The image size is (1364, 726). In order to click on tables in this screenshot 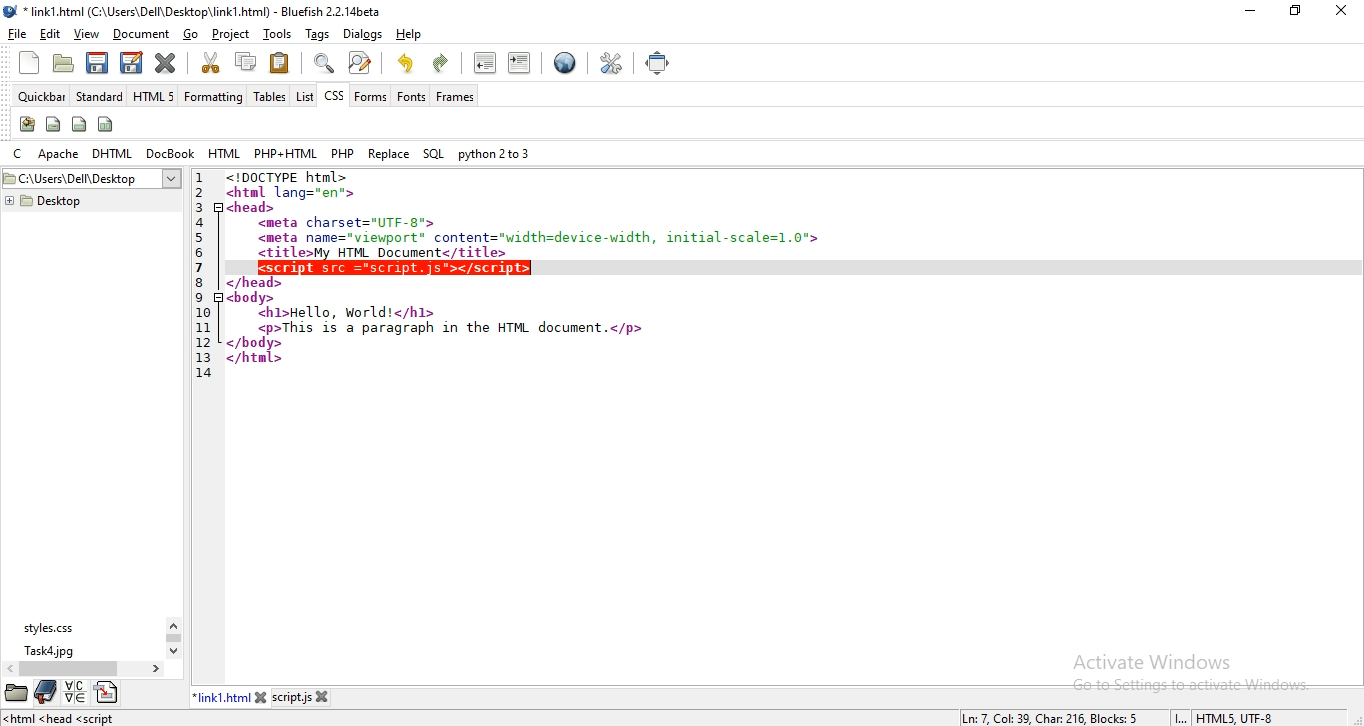, I will do `click(270, 95)`.